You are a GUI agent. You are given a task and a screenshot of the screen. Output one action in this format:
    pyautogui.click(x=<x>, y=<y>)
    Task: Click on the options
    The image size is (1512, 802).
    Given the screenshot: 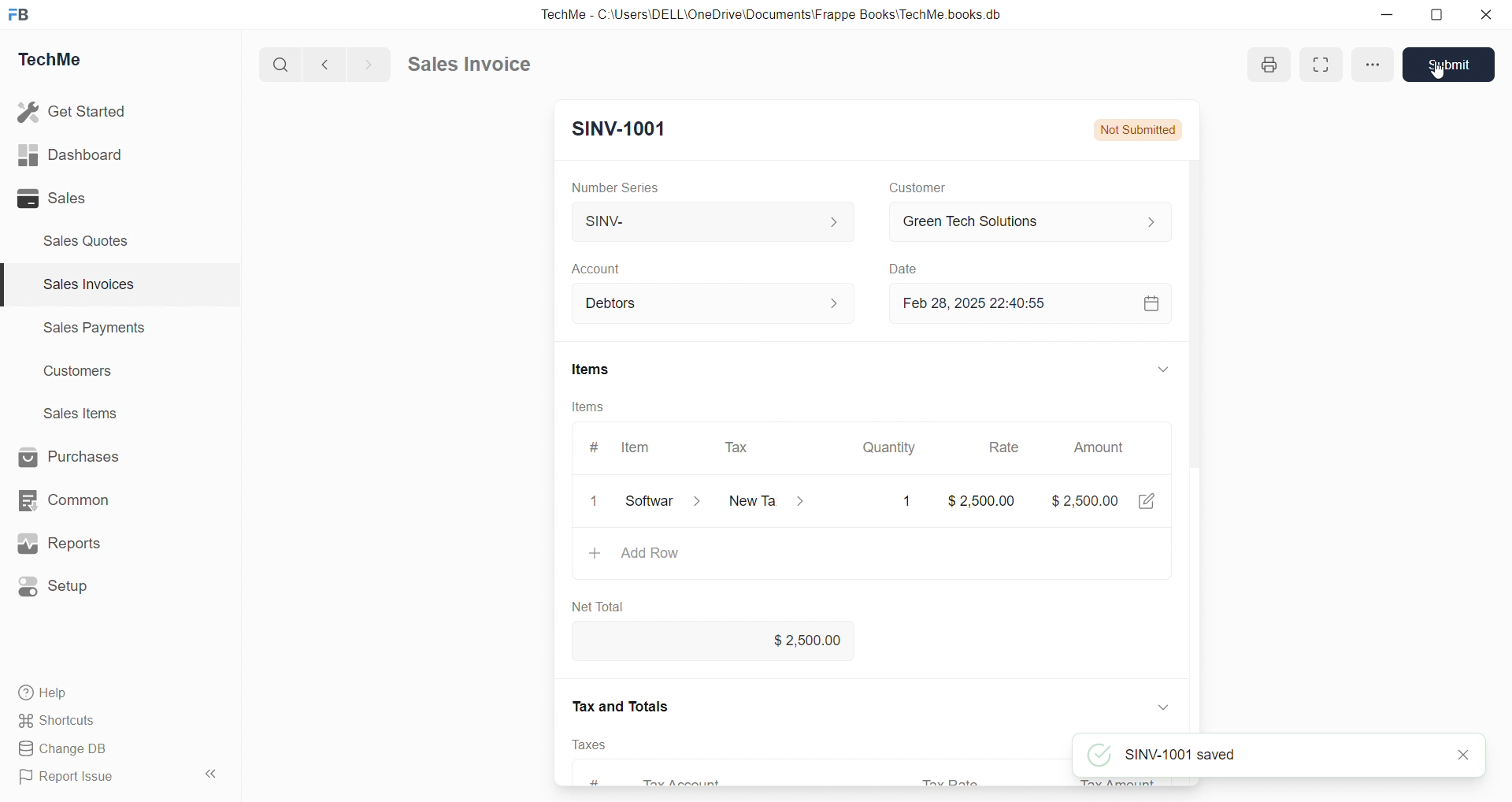 What is the action you would take?
    pyautogui.click(x=1372, y=64)
    